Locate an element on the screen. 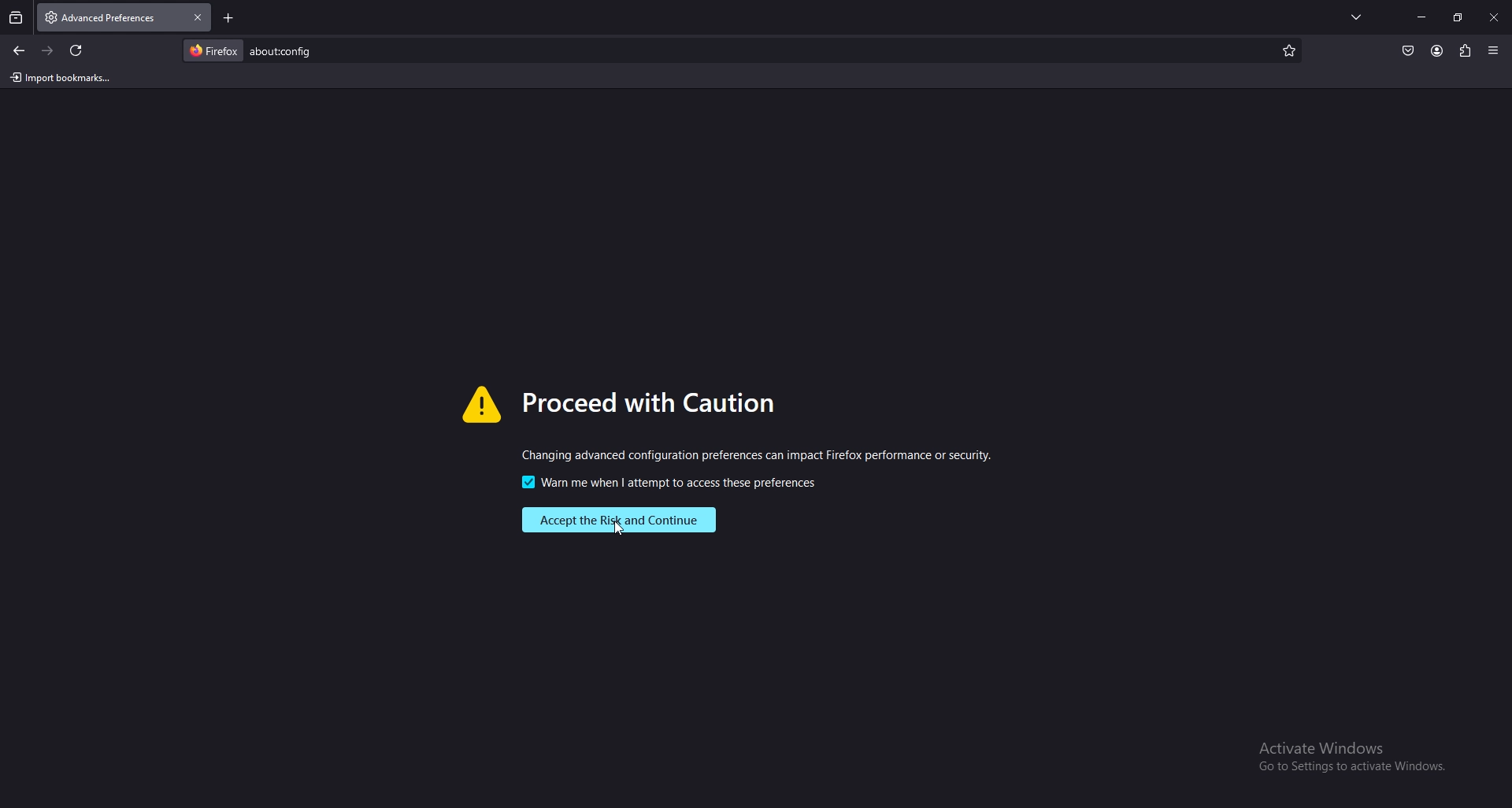 The height and width of the screenshot is (808, 1512). search item is located at coordinates (284, 50).